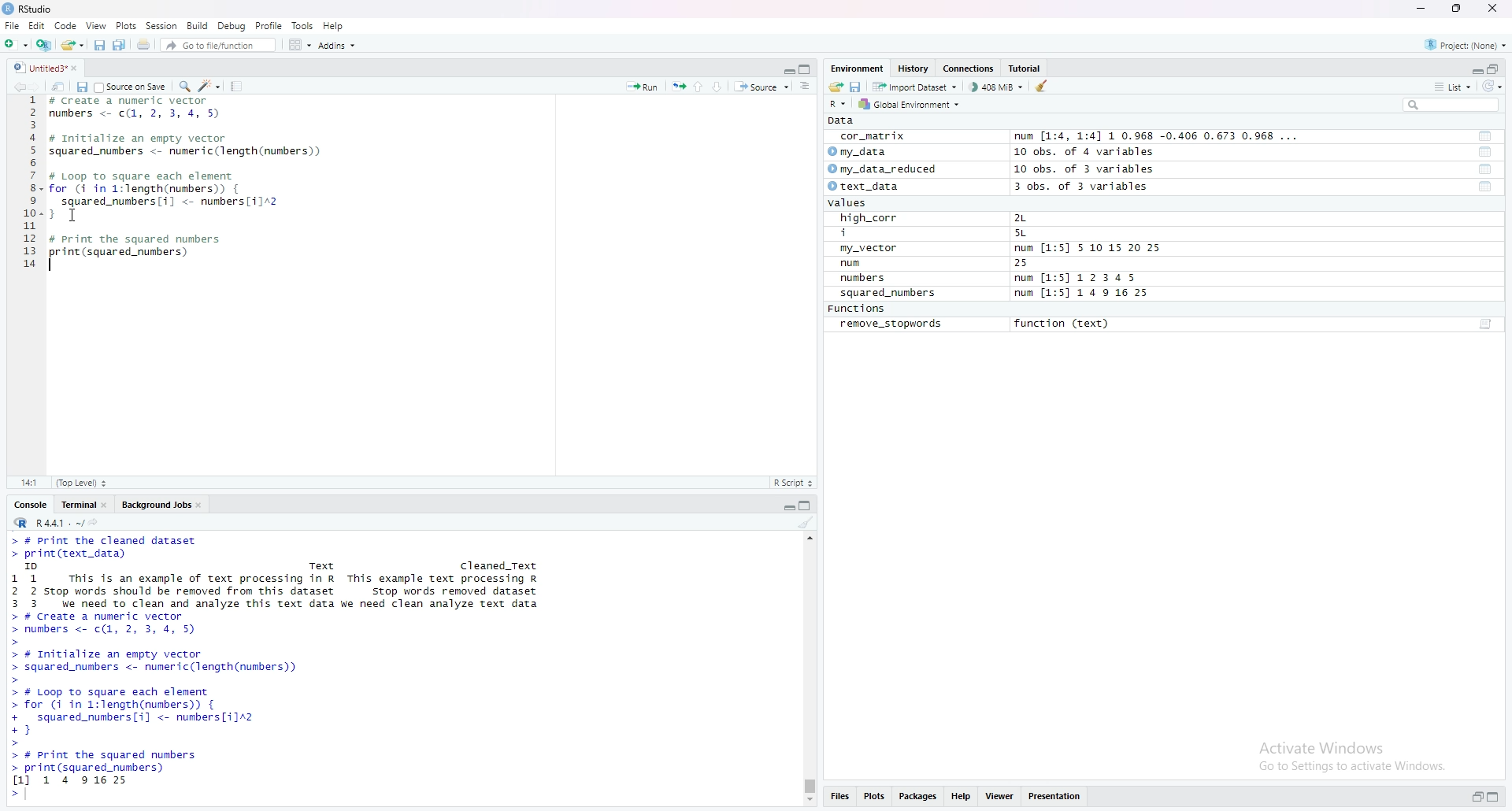  I want to click on 10 obs. of 4 variables, so click(1084, 152).